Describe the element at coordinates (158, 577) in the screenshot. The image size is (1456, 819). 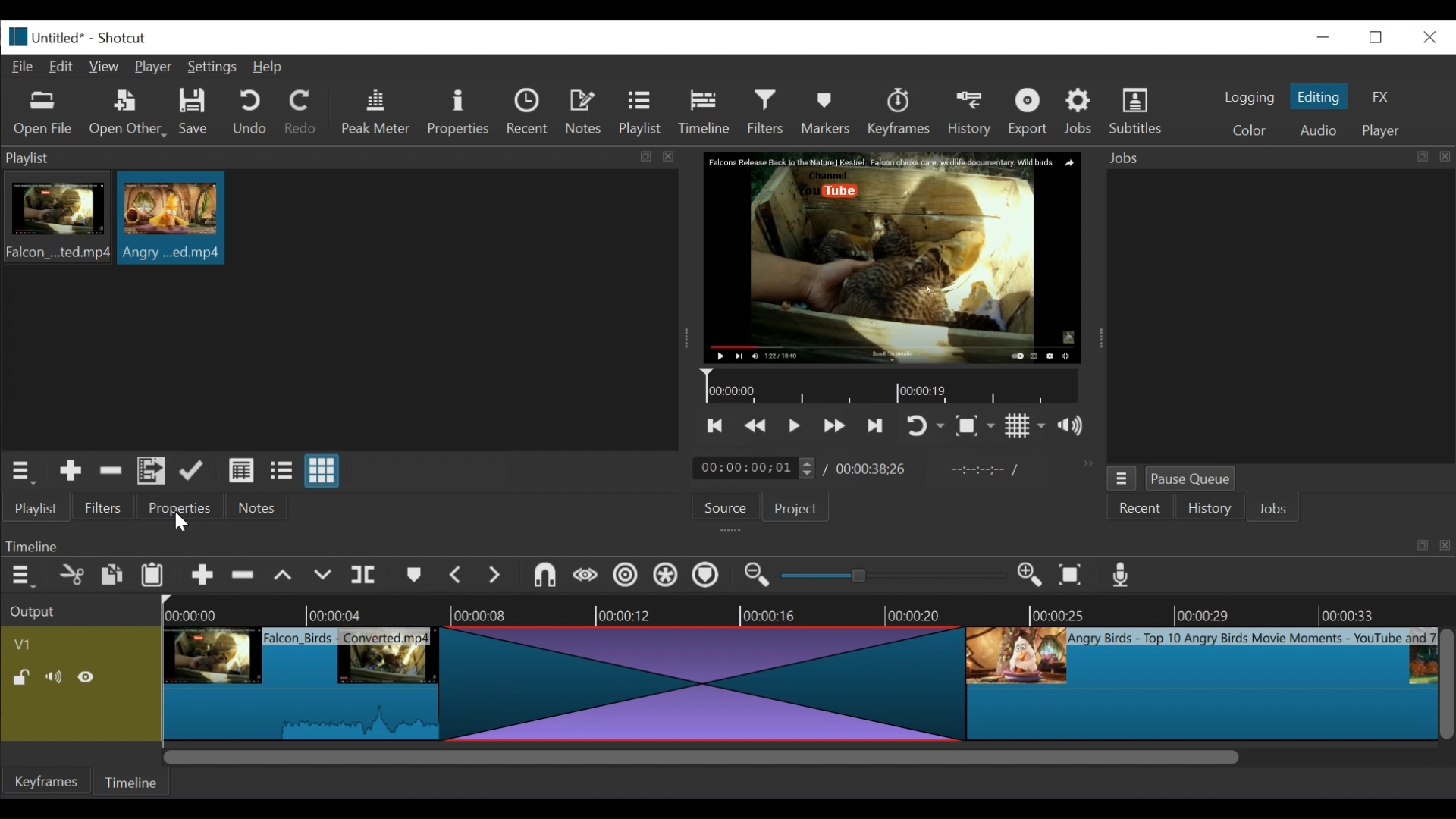
I see `Paste` at that location.